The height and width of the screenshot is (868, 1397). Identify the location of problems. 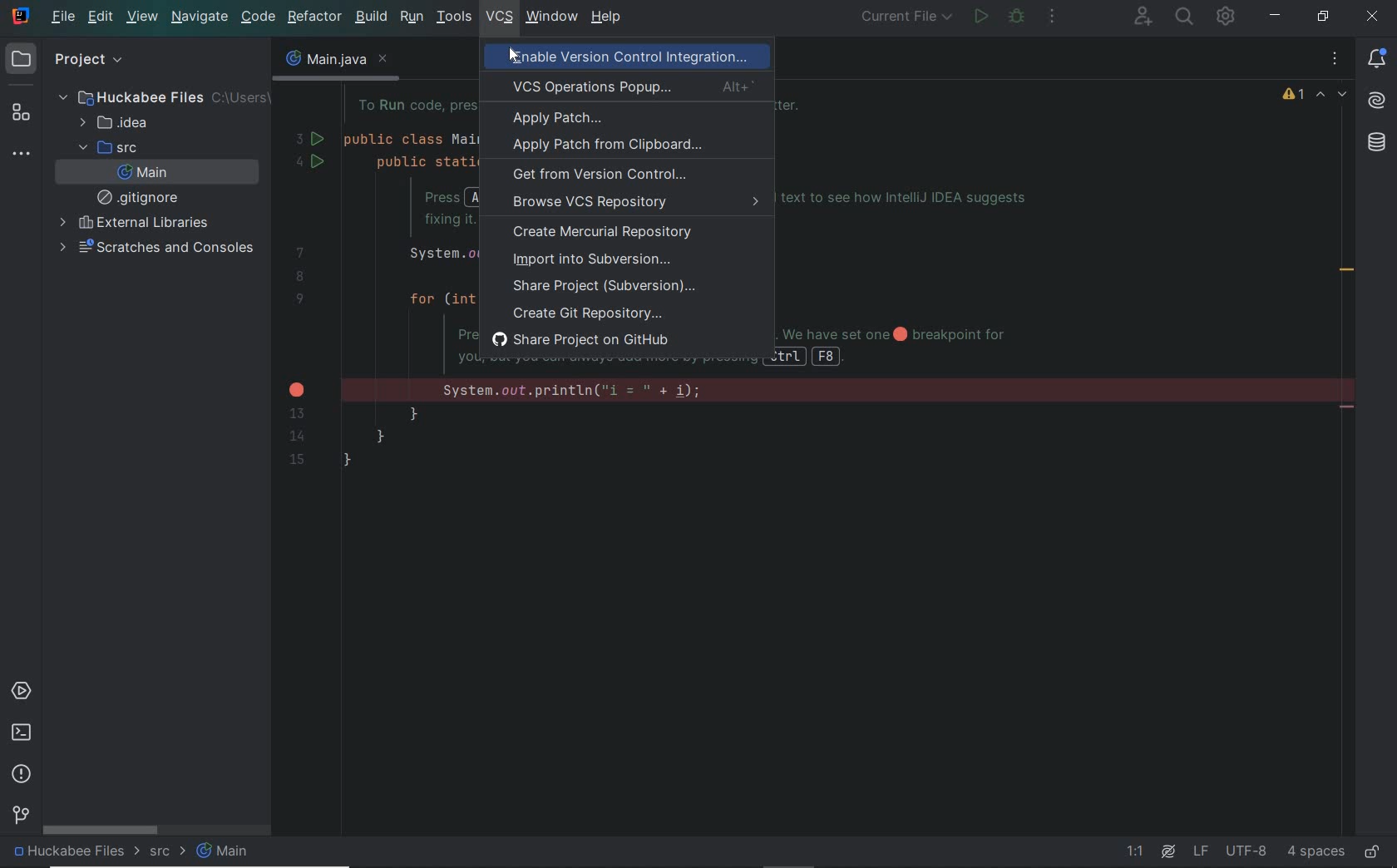
(22, 772).